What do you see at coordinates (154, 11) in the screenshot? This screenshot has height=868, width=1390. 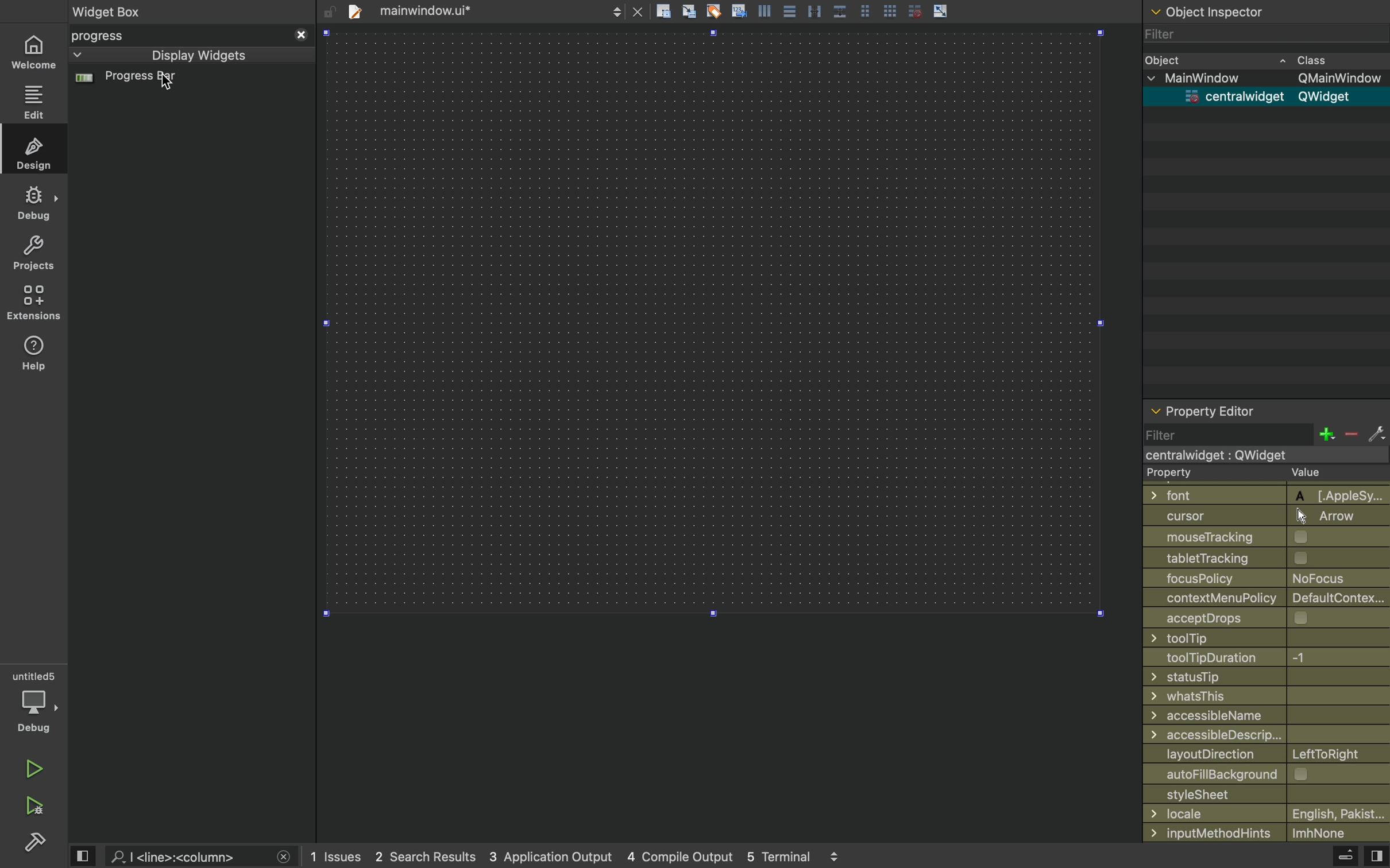 I see `widgetbox` at bounding box center [154, 11].